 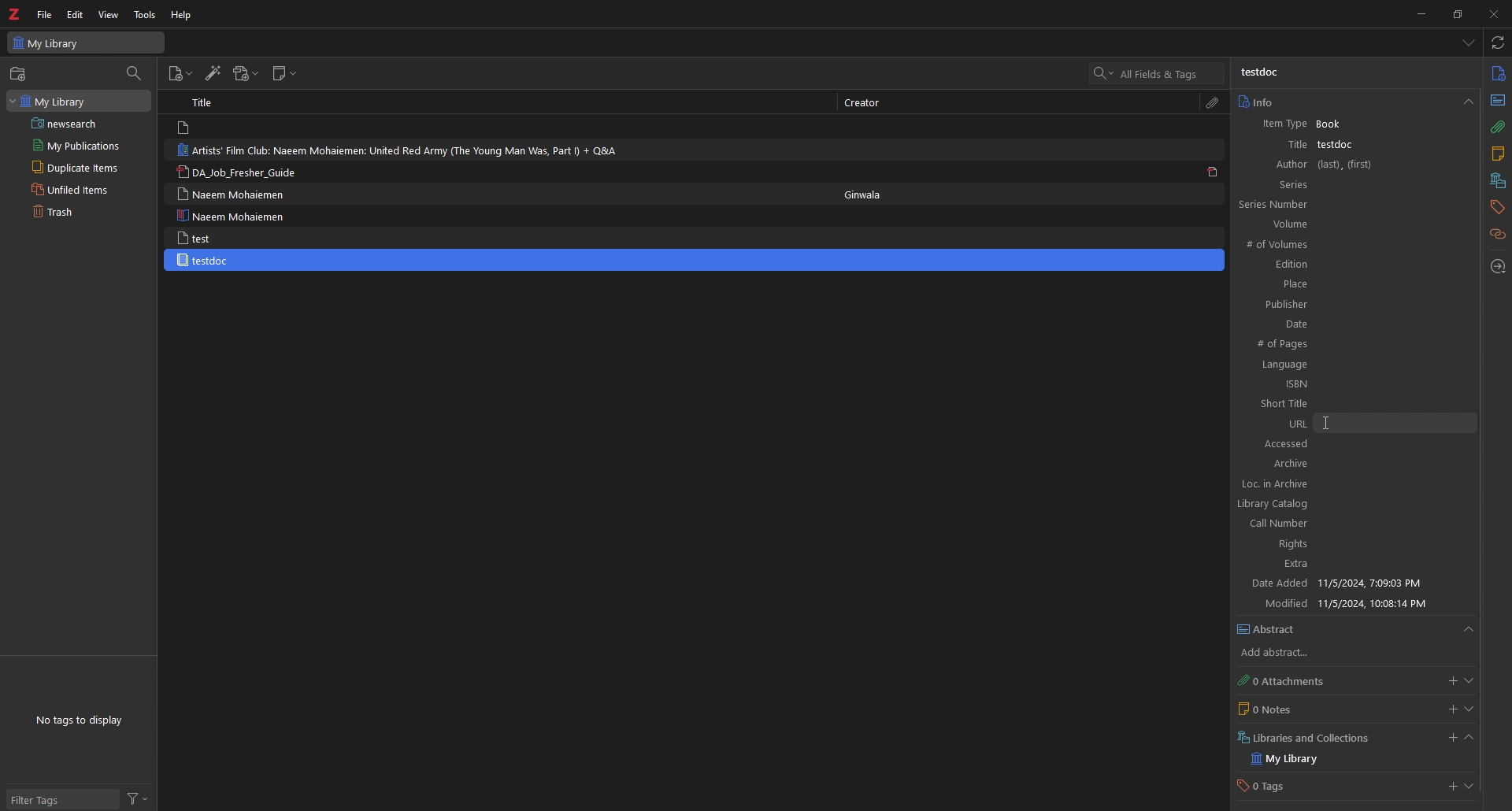 What do you see at coordinates (1316, 206) in the screenshot?
I see `Series Number` at bounding box center [1316, 206].